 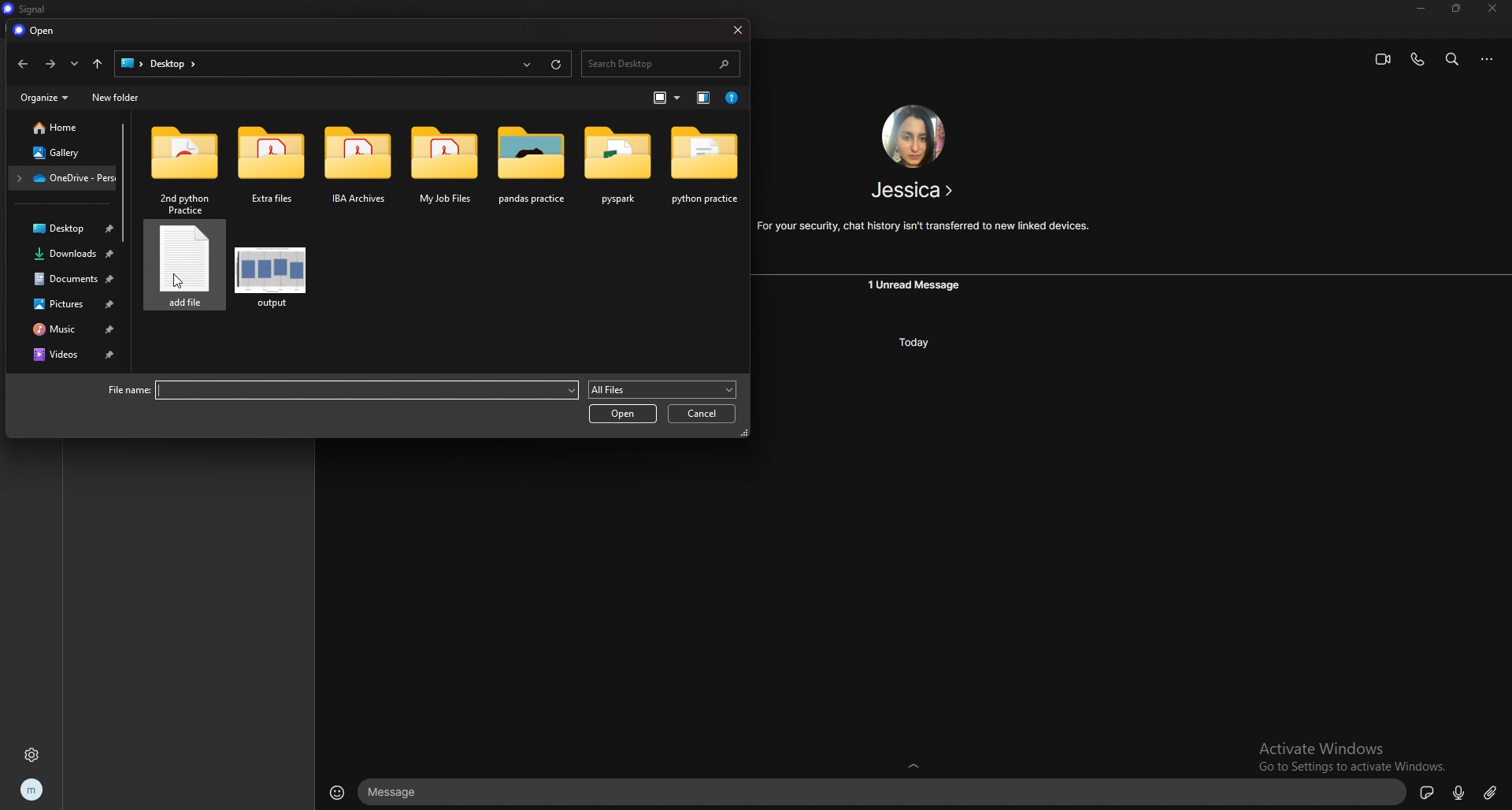 I want to click on video call, so click(x=1384, y=60).